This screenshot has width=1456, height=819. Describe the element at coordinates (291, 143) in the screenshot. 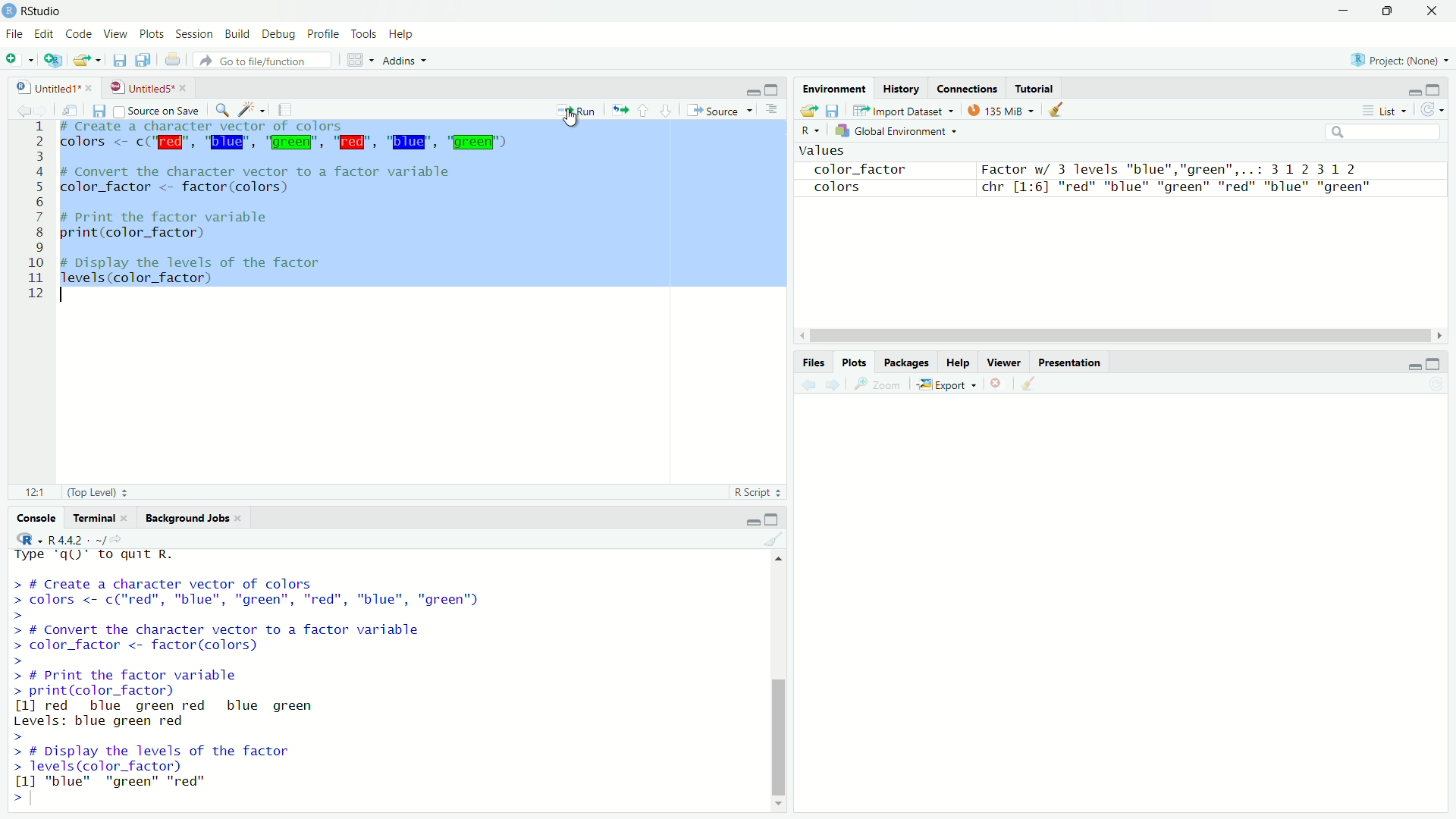

I see `code to colors` at that location.